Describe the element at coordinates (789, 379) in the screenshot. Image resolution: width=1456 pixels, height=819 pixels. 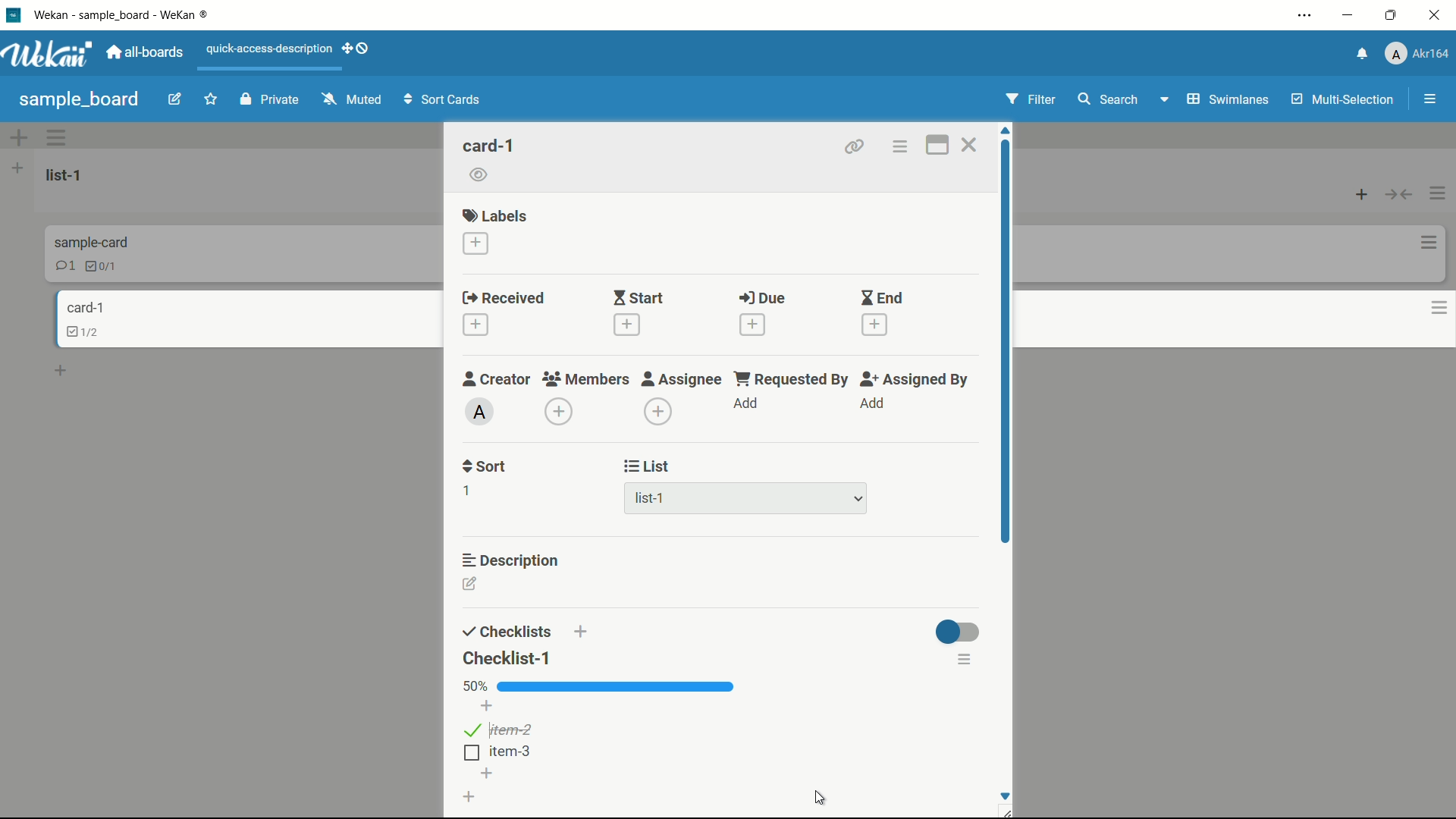
I see `requested by` at that location.